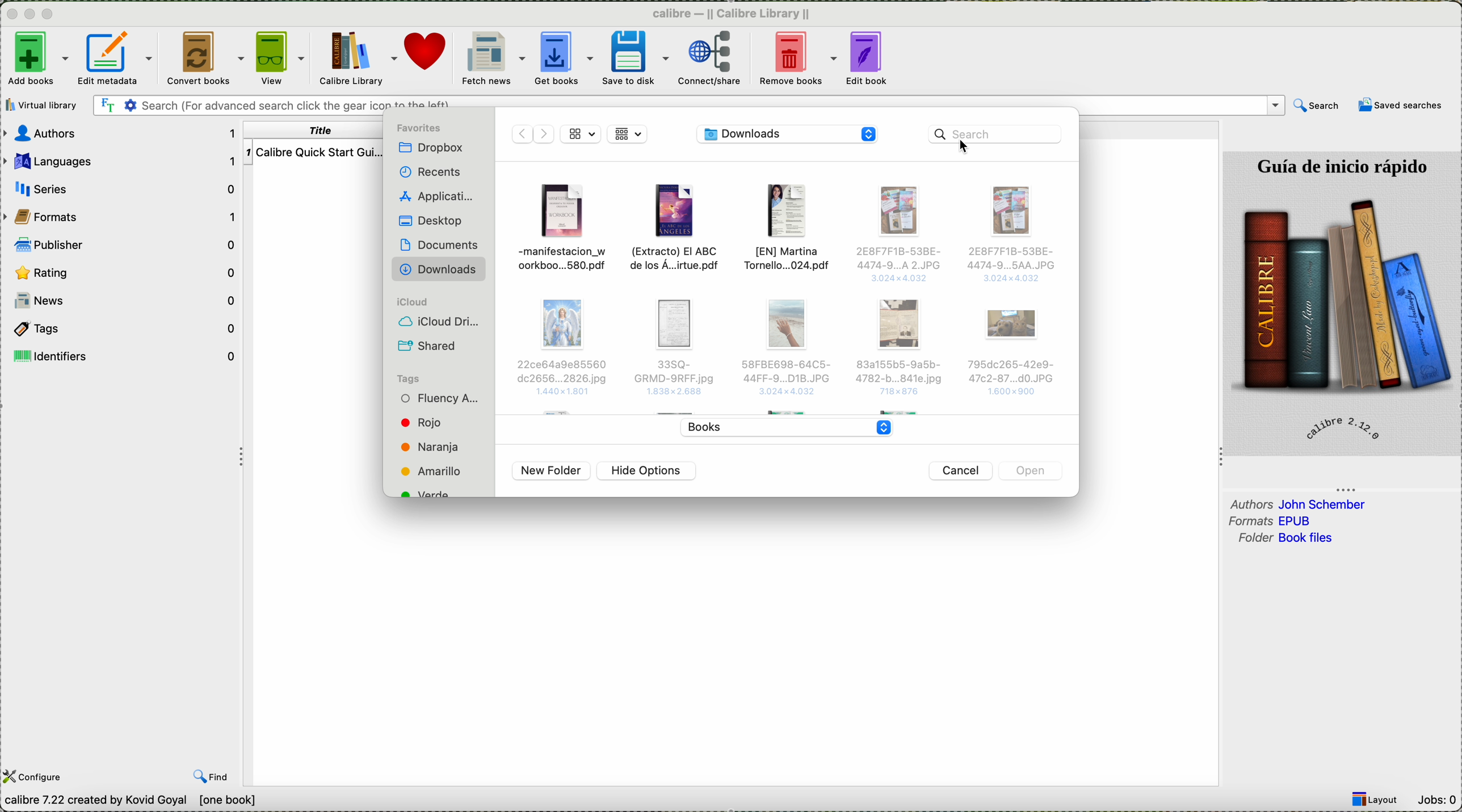 This screenshot has height=812, width=1462. Describe the element at coordinates (316, 131) in the screenshot. I see `title` at that location.